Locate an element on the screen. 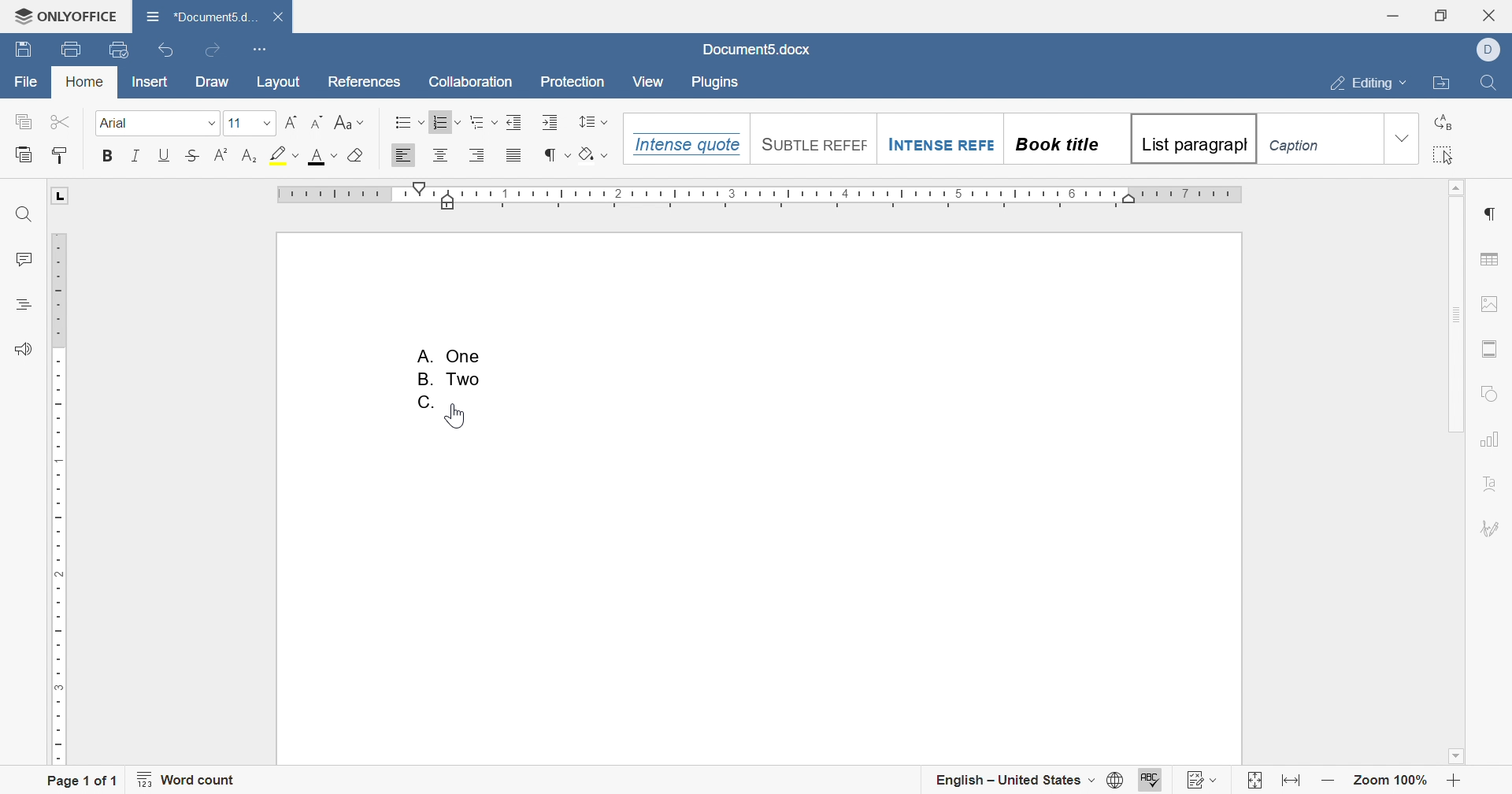  paragraph settings is located at coordinates (1491, 215).